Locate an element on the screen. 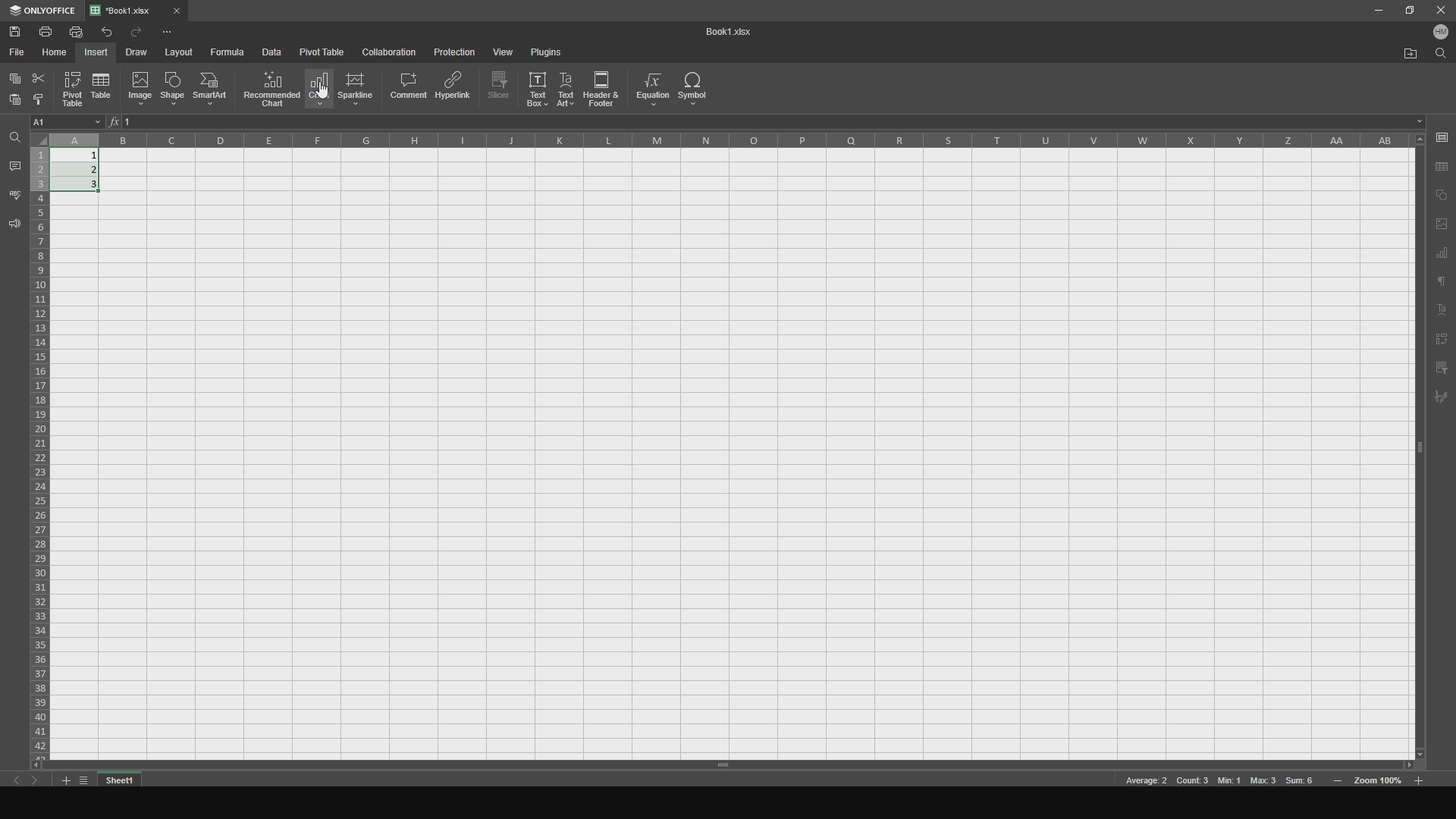 This screenshot has width=1456, height=819. protection is located at coordinates (453, 52).